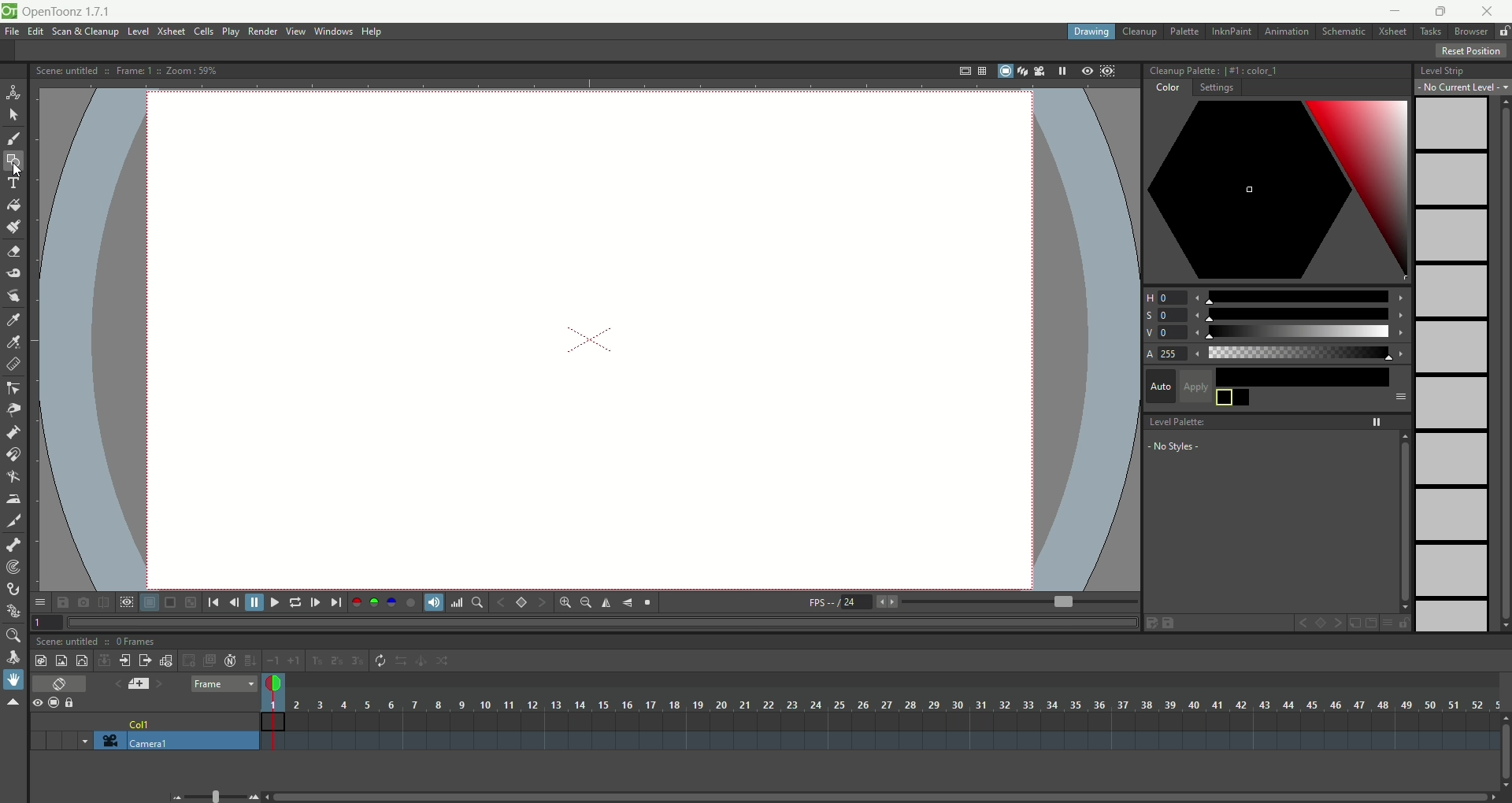 The height and width of the screenshot is (803, 1512). Describe the element at coordinates (13, 253) in the screenshot. I see `eraser tool` at that location.